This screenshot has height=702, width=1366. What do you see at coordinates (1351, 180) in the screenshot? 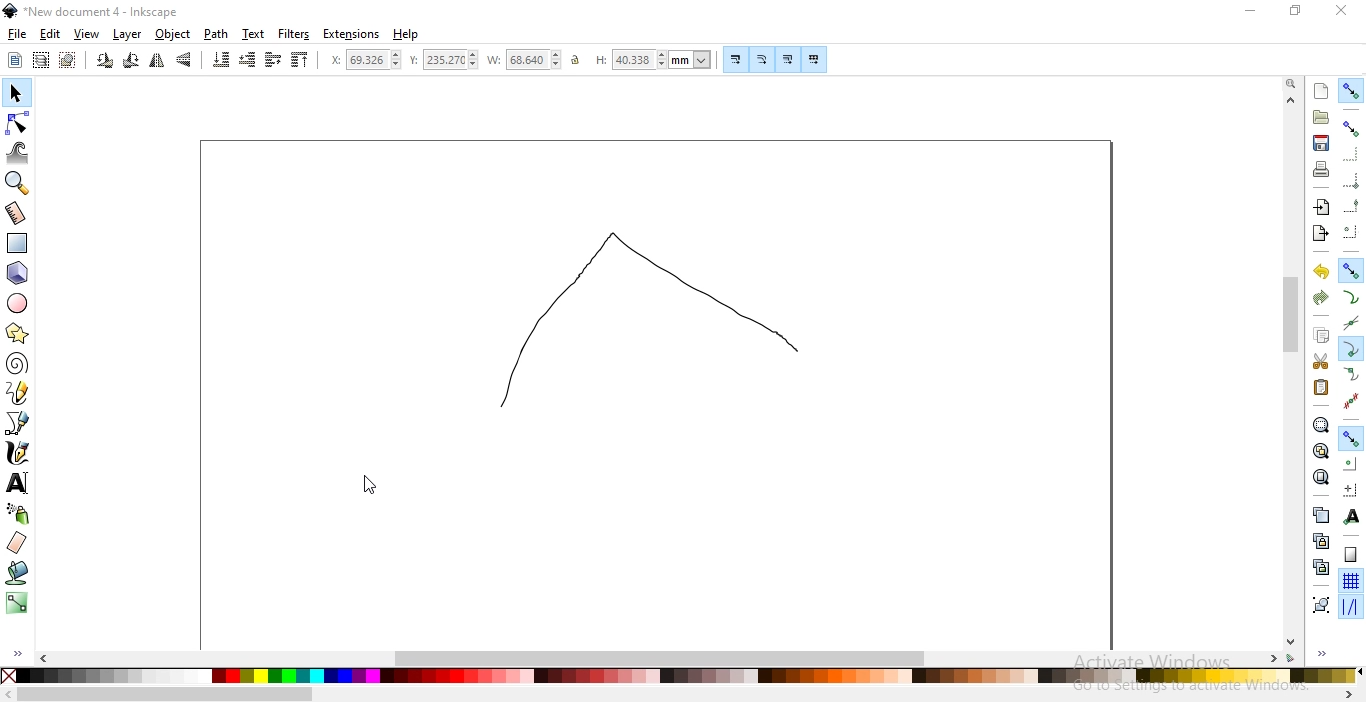
I see `` at bounding box center [1351, 180].